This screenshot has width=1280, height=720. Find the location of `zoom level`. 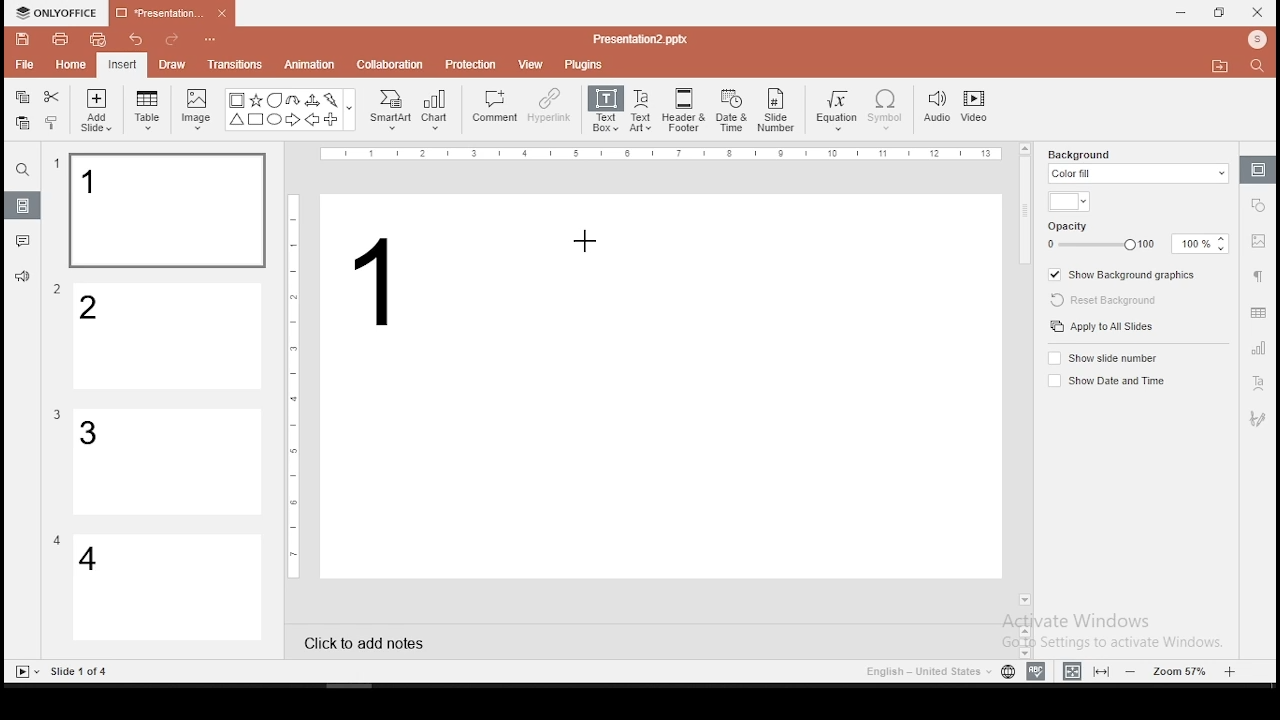

zoom level is located at coordinates (1183, 670).